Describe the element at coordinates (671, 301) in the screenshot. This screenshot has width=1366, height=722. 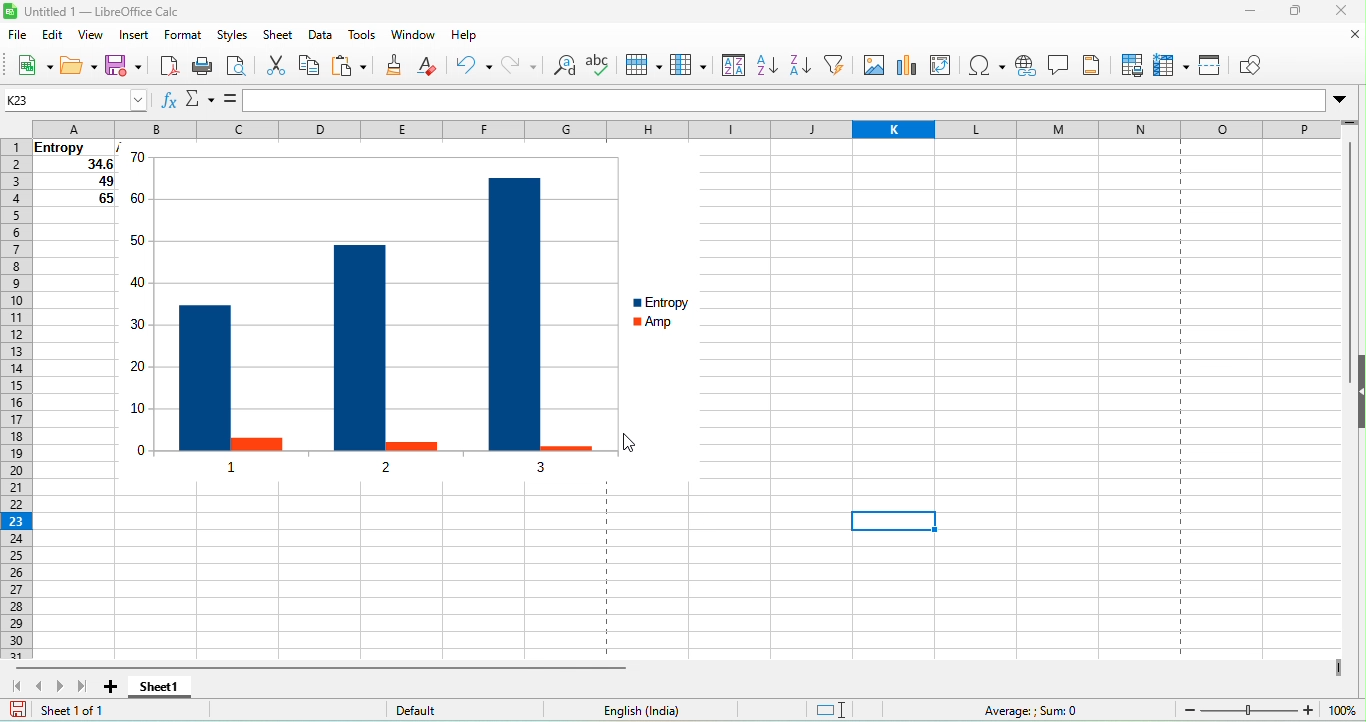
I see `entropy` at that location.